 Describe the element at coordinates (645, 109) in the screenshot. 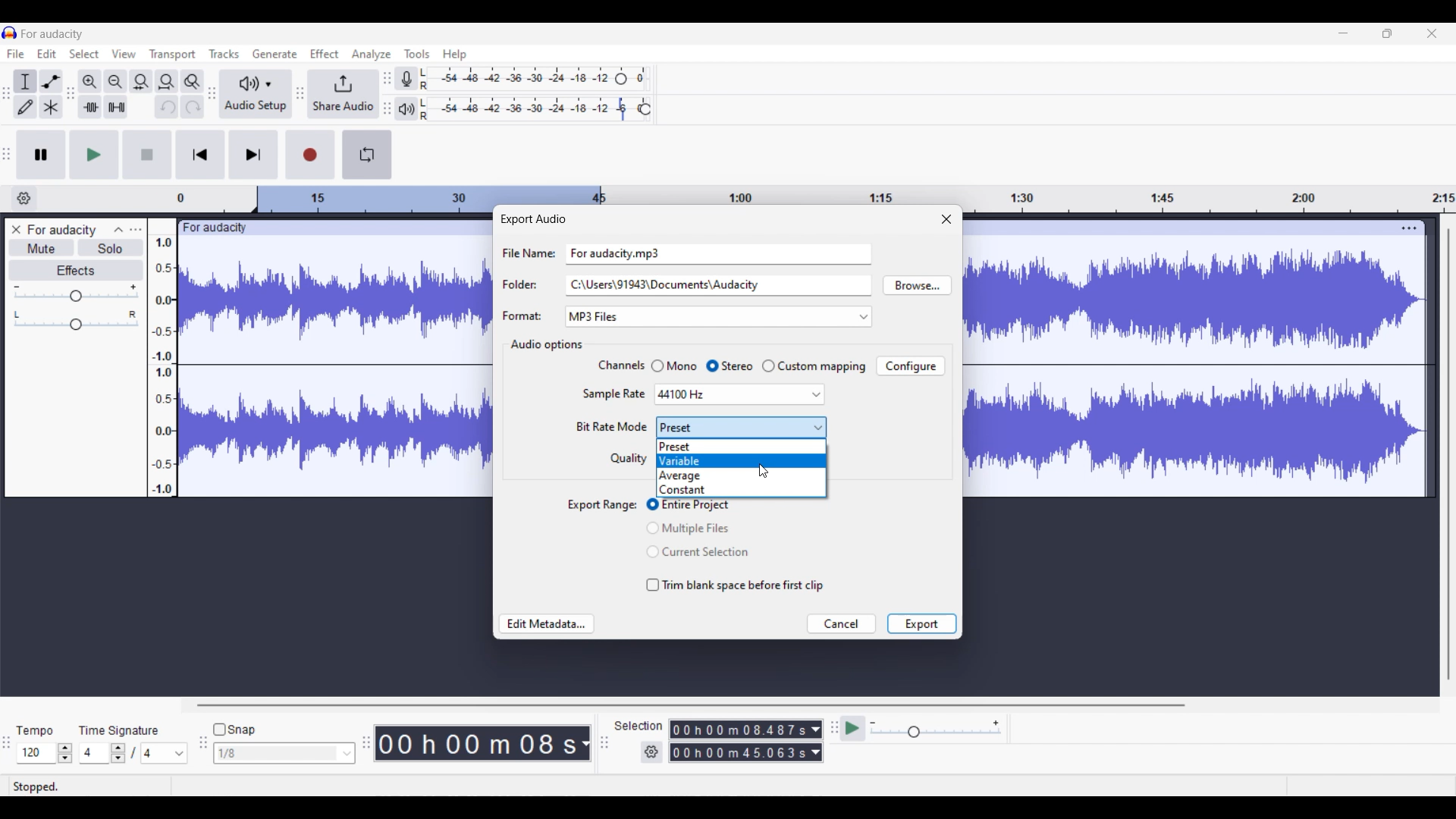

I see `Header to change playback speed` at that location.